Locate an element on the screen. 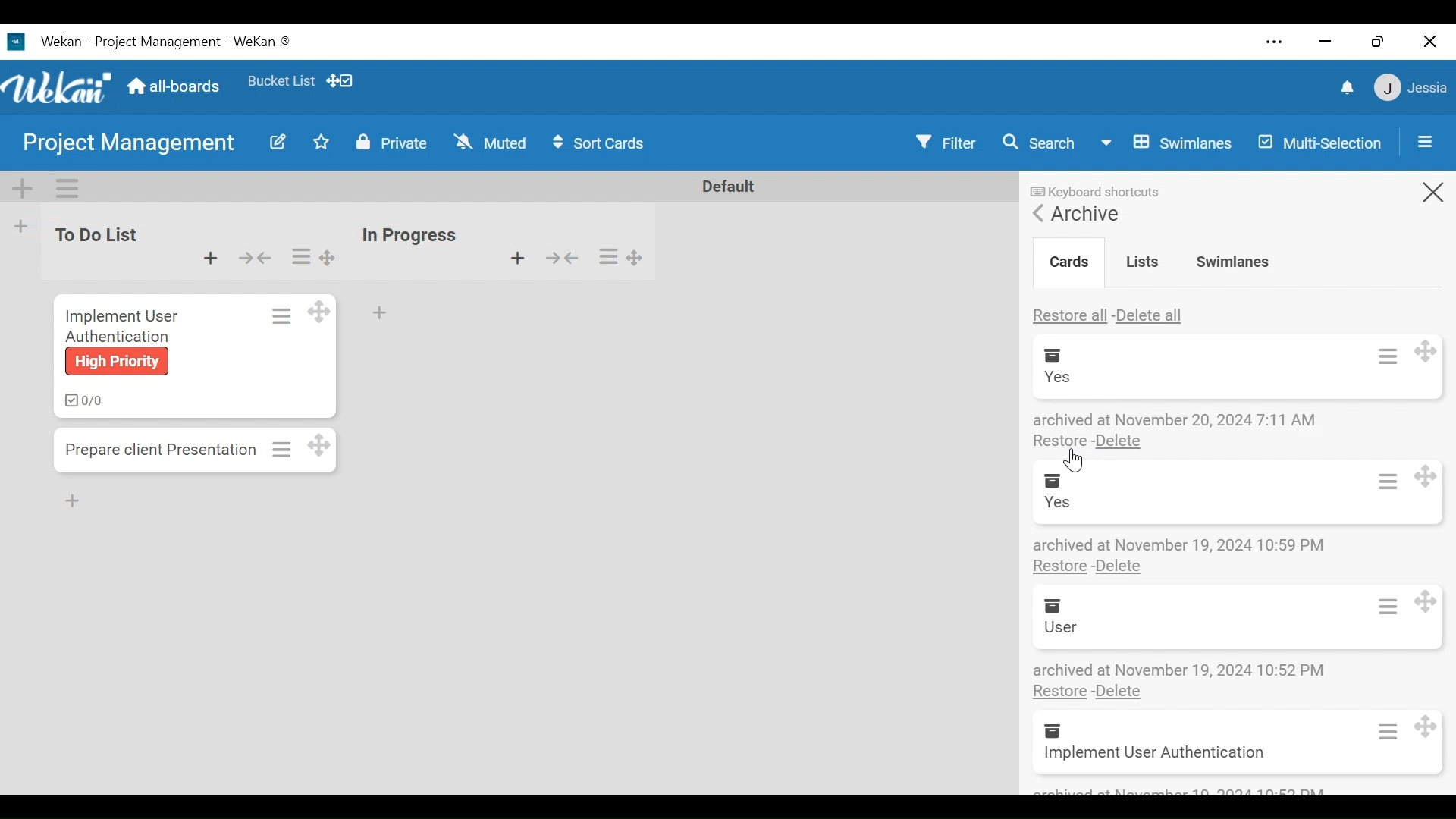 The image size is (1456, 819). user is located at coordinates (1061, 626).